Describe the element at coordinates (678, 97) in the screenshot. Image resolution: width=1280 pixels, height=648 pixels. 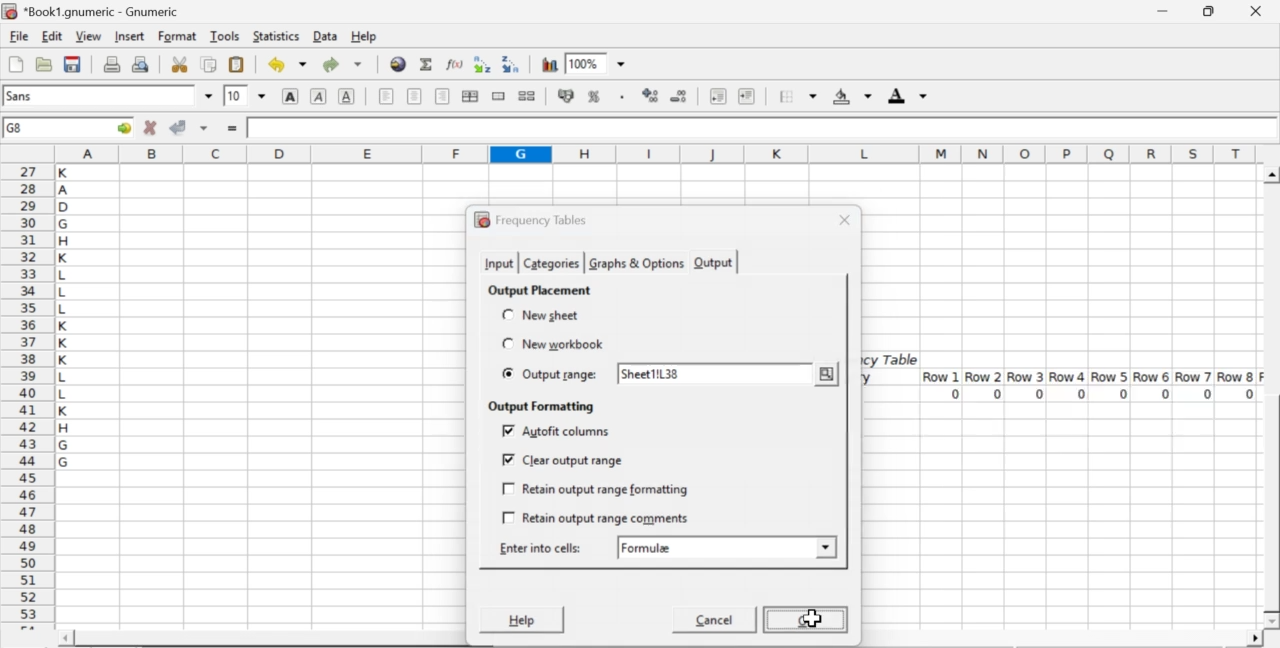
I see `decrease number of decimals displayed` at that location.